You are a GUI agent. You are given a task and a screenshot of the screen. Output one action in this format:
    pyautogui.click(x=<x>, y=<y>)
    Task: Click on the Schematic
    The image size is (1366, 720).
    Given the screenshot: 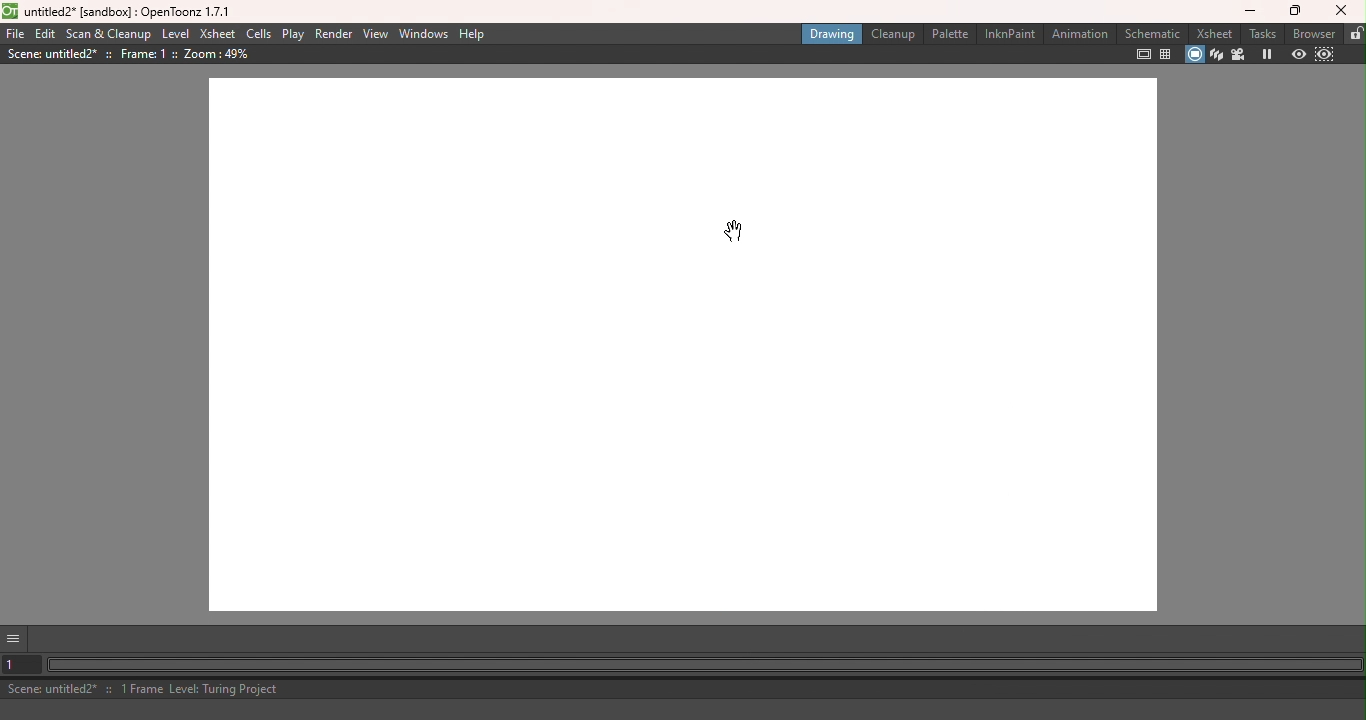 What is the action you would take?
    pyautogui.click(x=1153, y=34)
    